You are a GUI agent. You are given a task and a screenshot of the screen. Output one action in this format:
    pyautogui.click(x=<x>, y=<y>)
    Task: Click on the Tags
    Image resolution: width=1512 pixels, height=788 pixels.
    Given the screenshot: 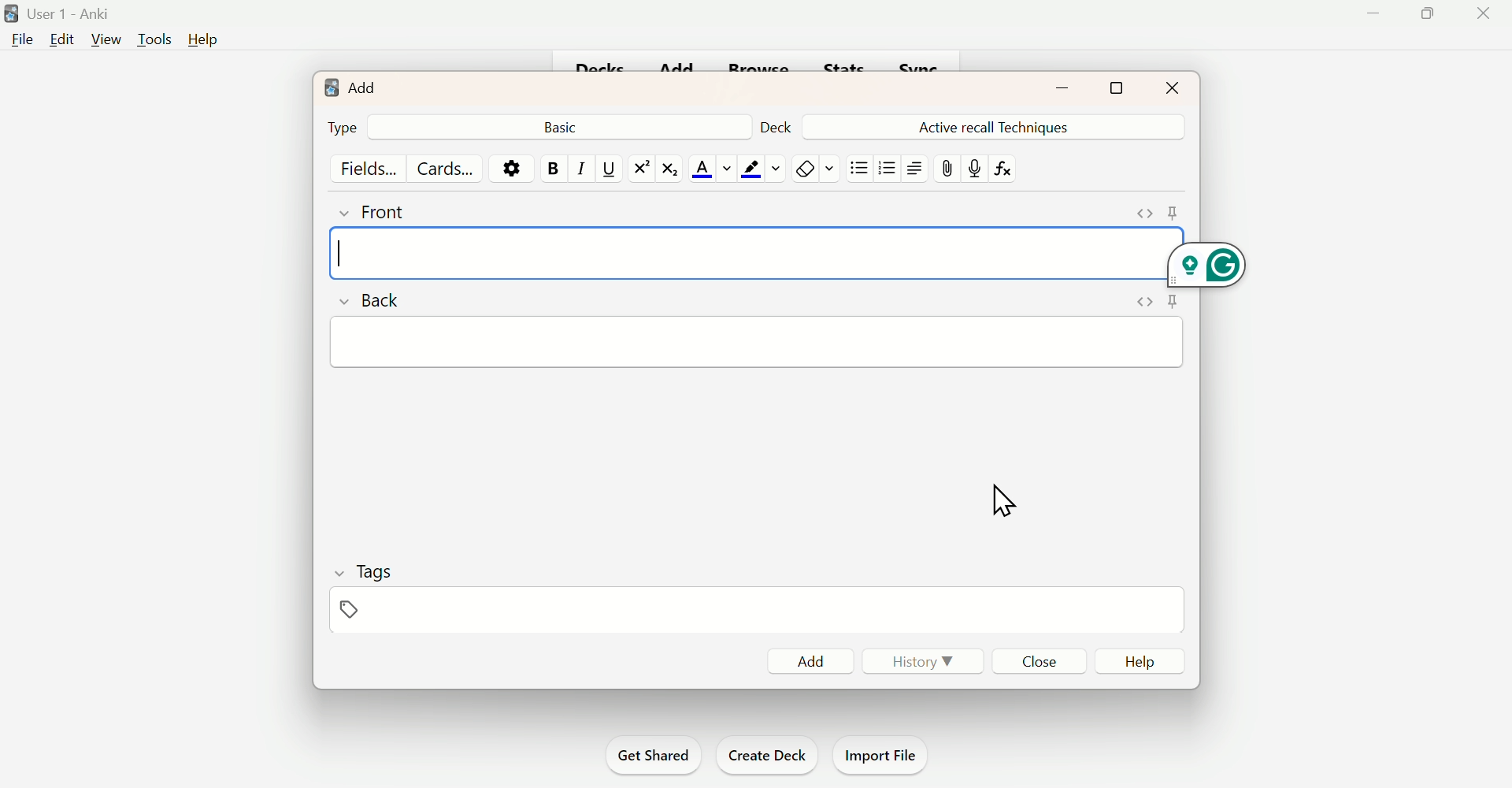 What is the action you would take?
    pyautogui.click(x=369, y=592)
    